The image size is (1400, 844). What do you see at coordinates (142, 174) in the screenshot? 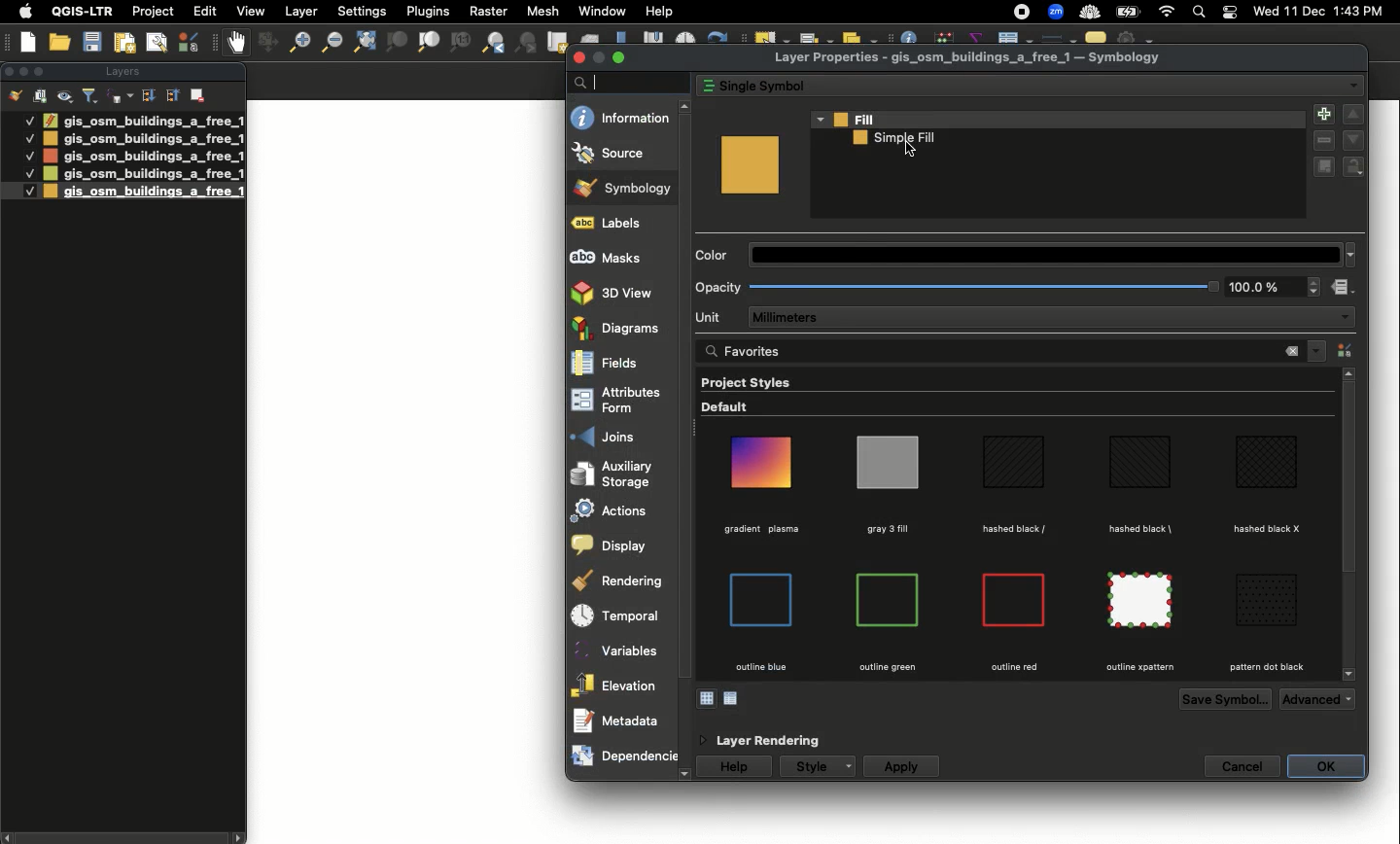
I see `gis_osm_buildings_a_free_1` at bounding box center [142, 174].